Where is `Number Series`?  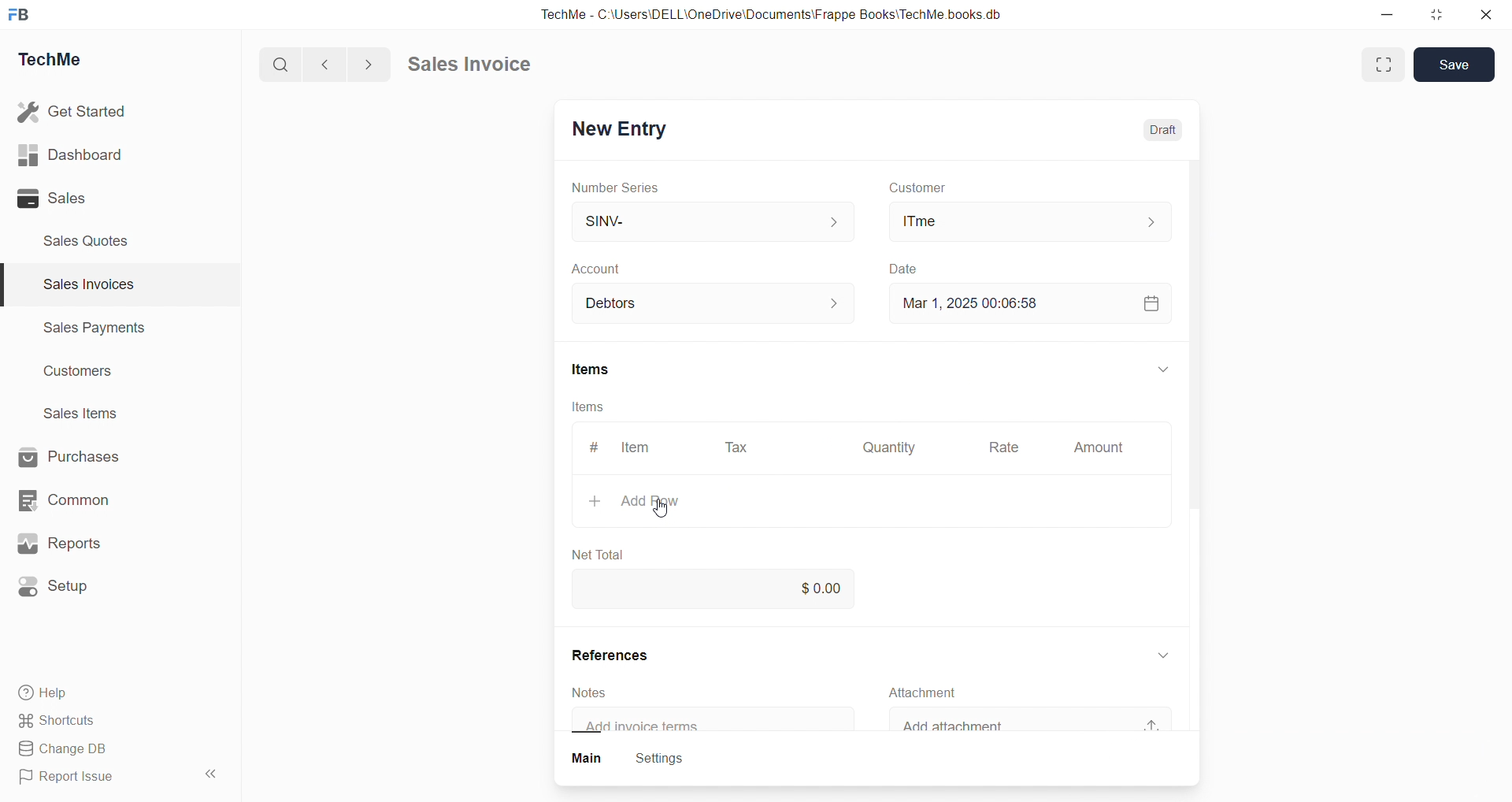
Number Series is located at coordinates (626, 188).